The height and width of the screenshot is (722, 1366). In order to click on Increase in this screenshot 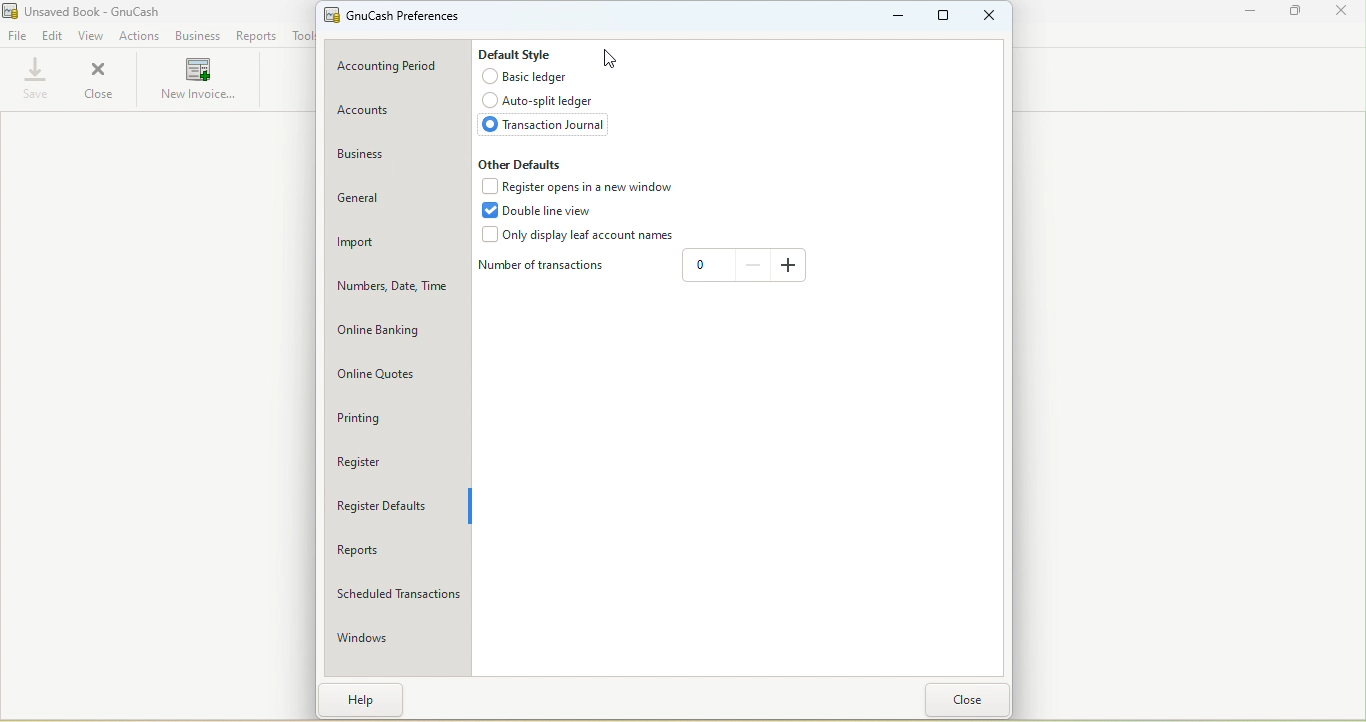, I will do `click(787, 267)`.